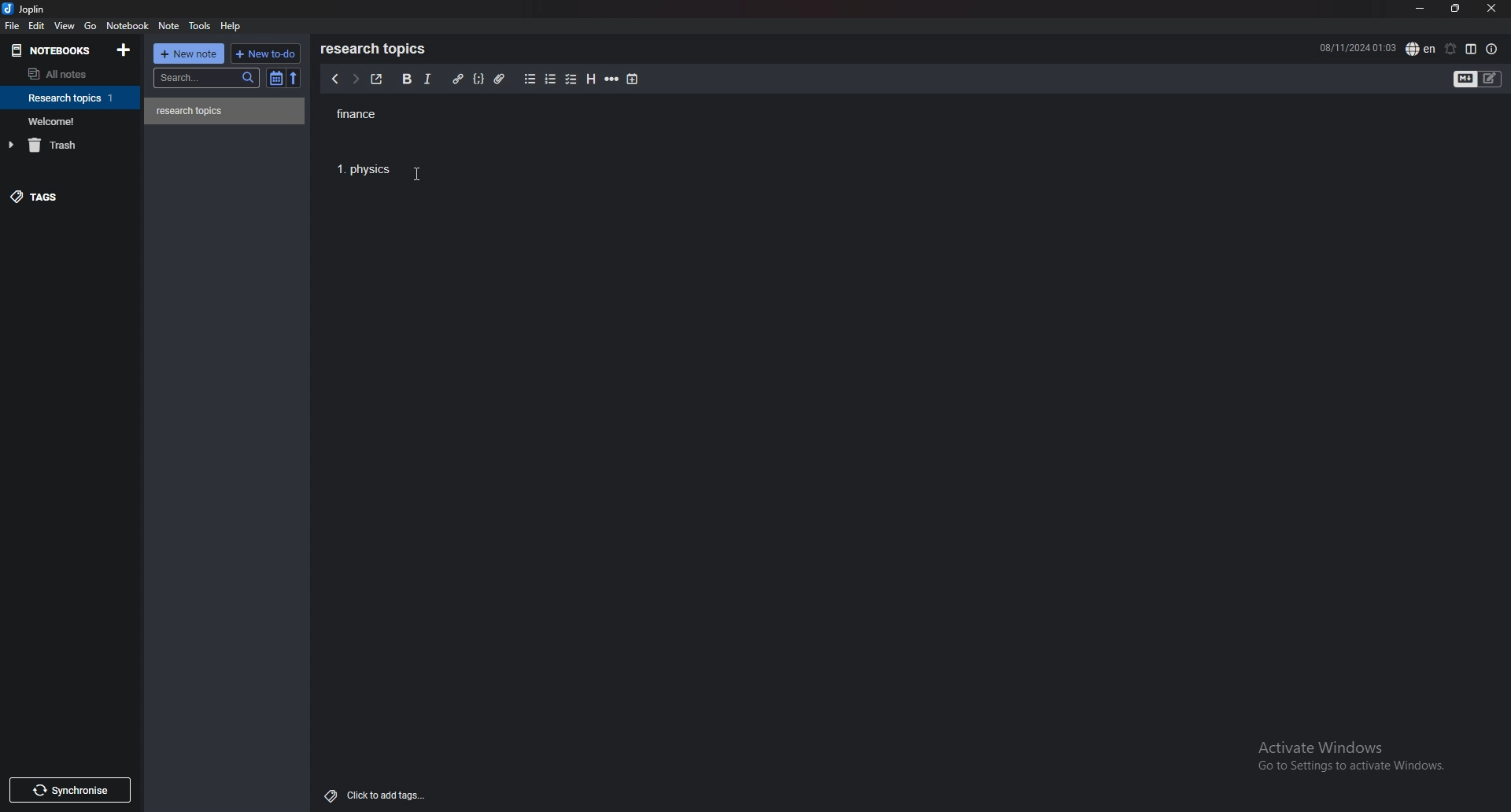 The image size is (1511, 812). What do you see at coordinates (13, 26) in the screenshot?
I see `file` at bounding box center [13, 26].